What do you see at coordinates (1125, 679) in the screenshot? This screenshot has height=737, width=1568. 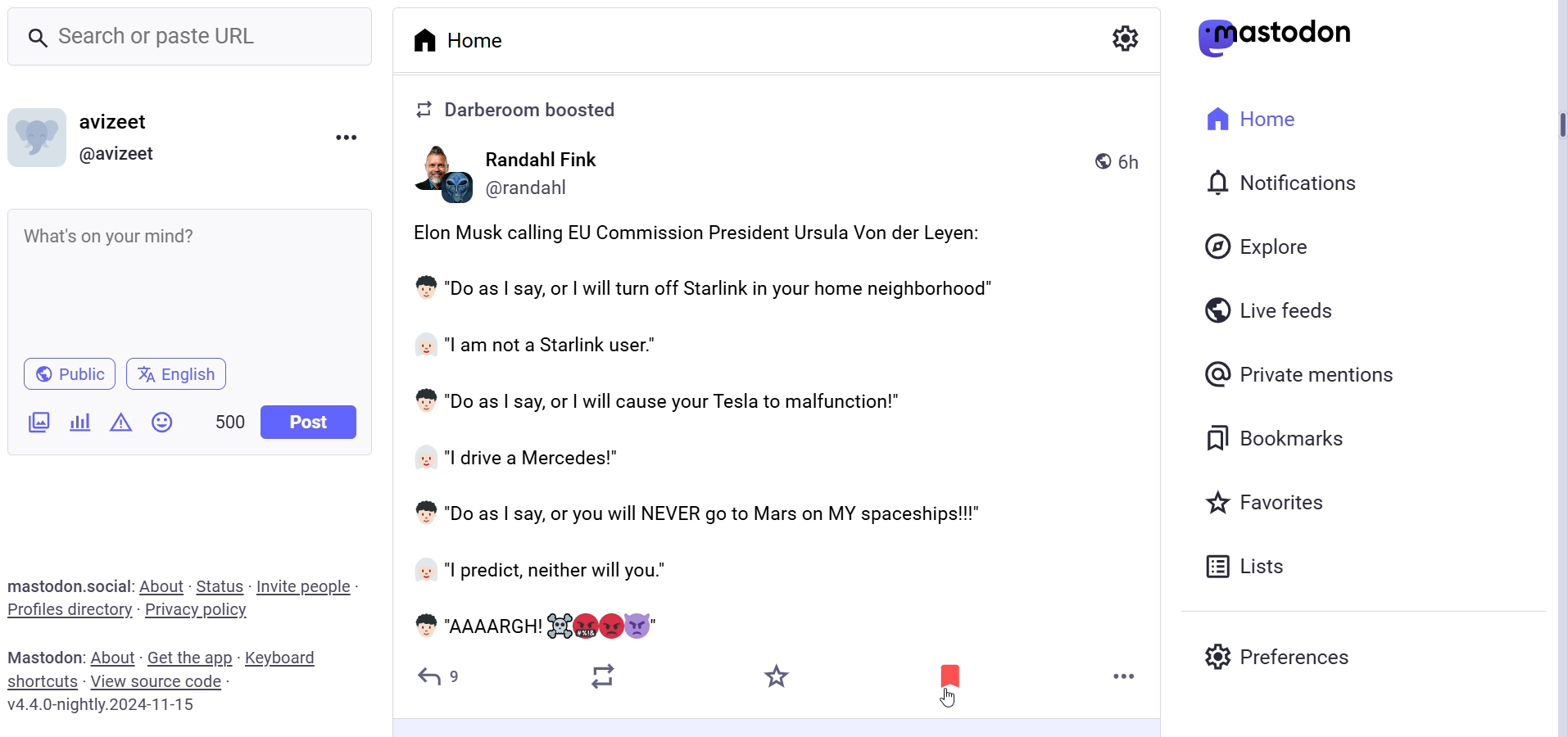 I see `More` at bounding box center [1125, 679].